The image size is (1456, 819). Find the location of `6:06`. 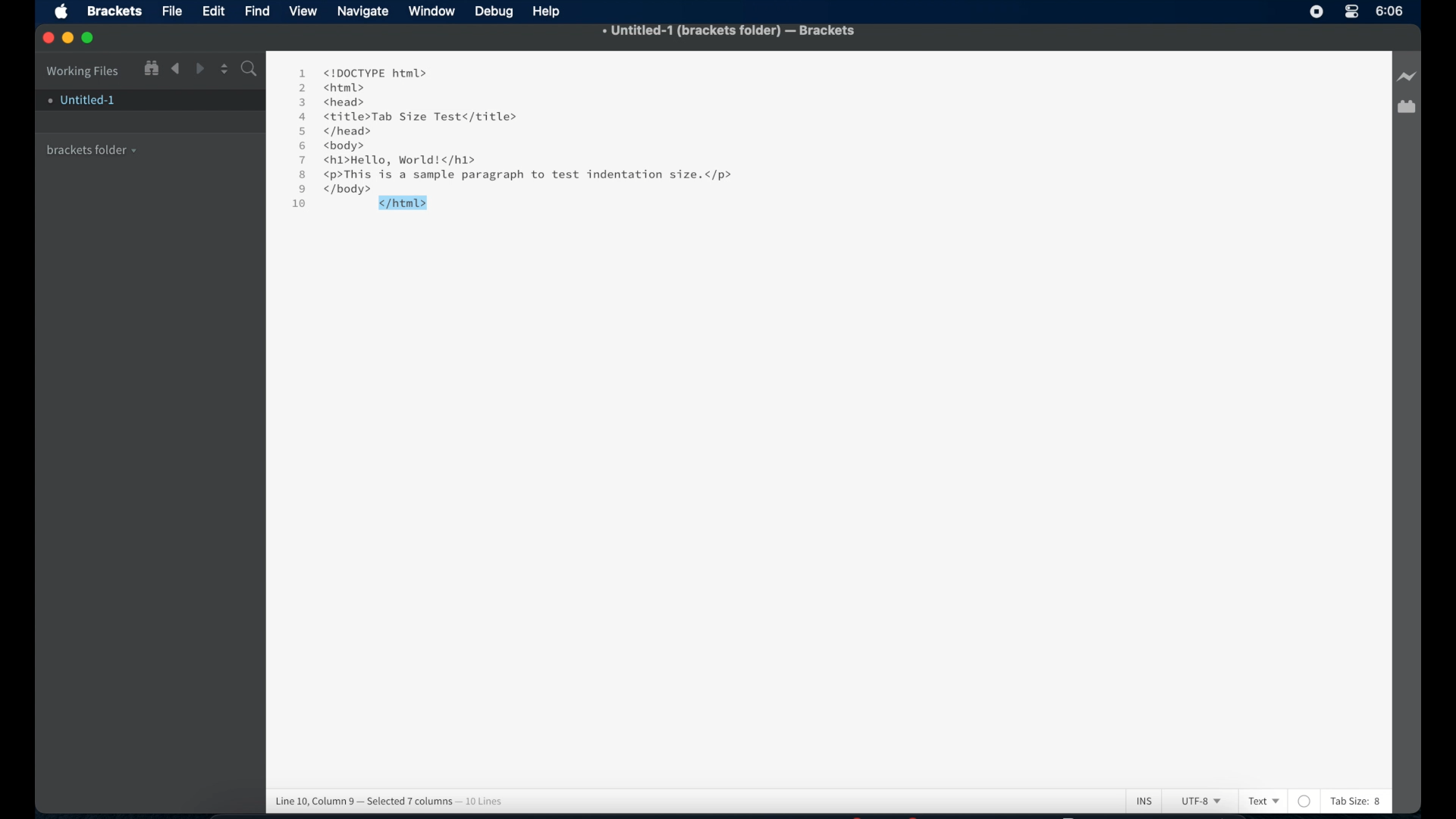

6:06 is located at coordinates (1390, 11).